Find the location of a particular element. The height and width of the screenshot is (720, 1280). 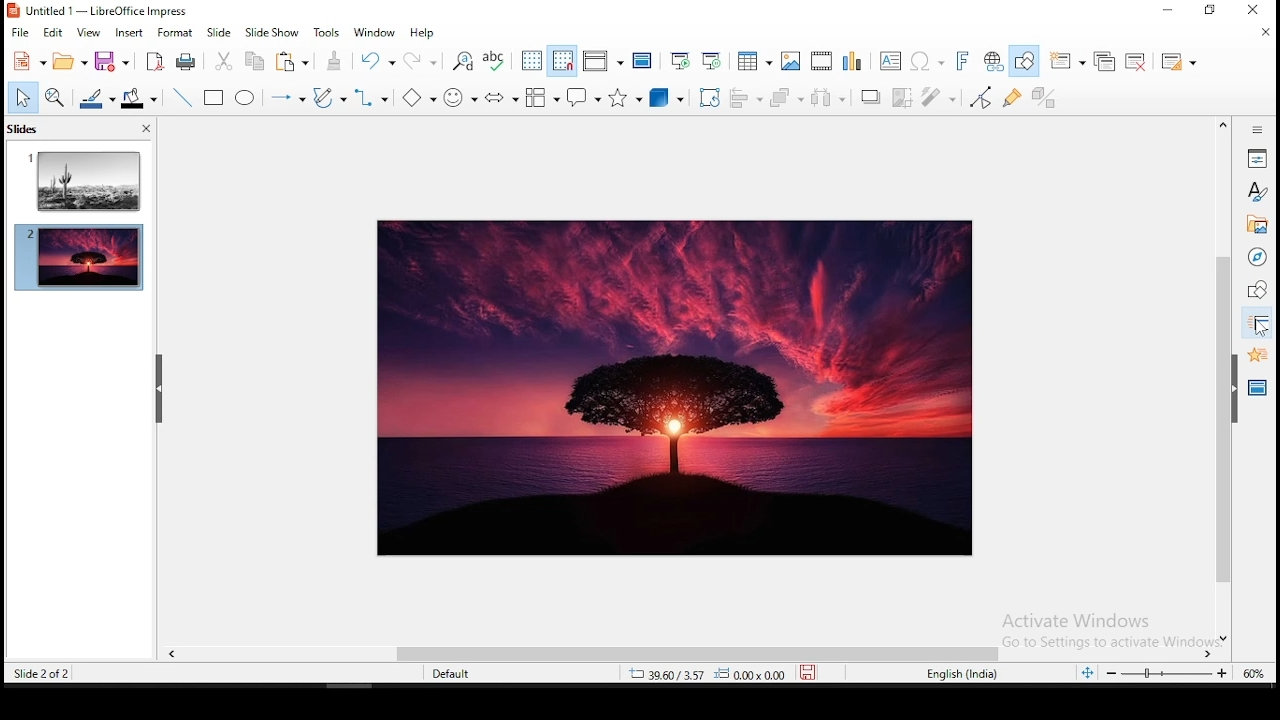

snap to grids is located at coordinates (563, 62).